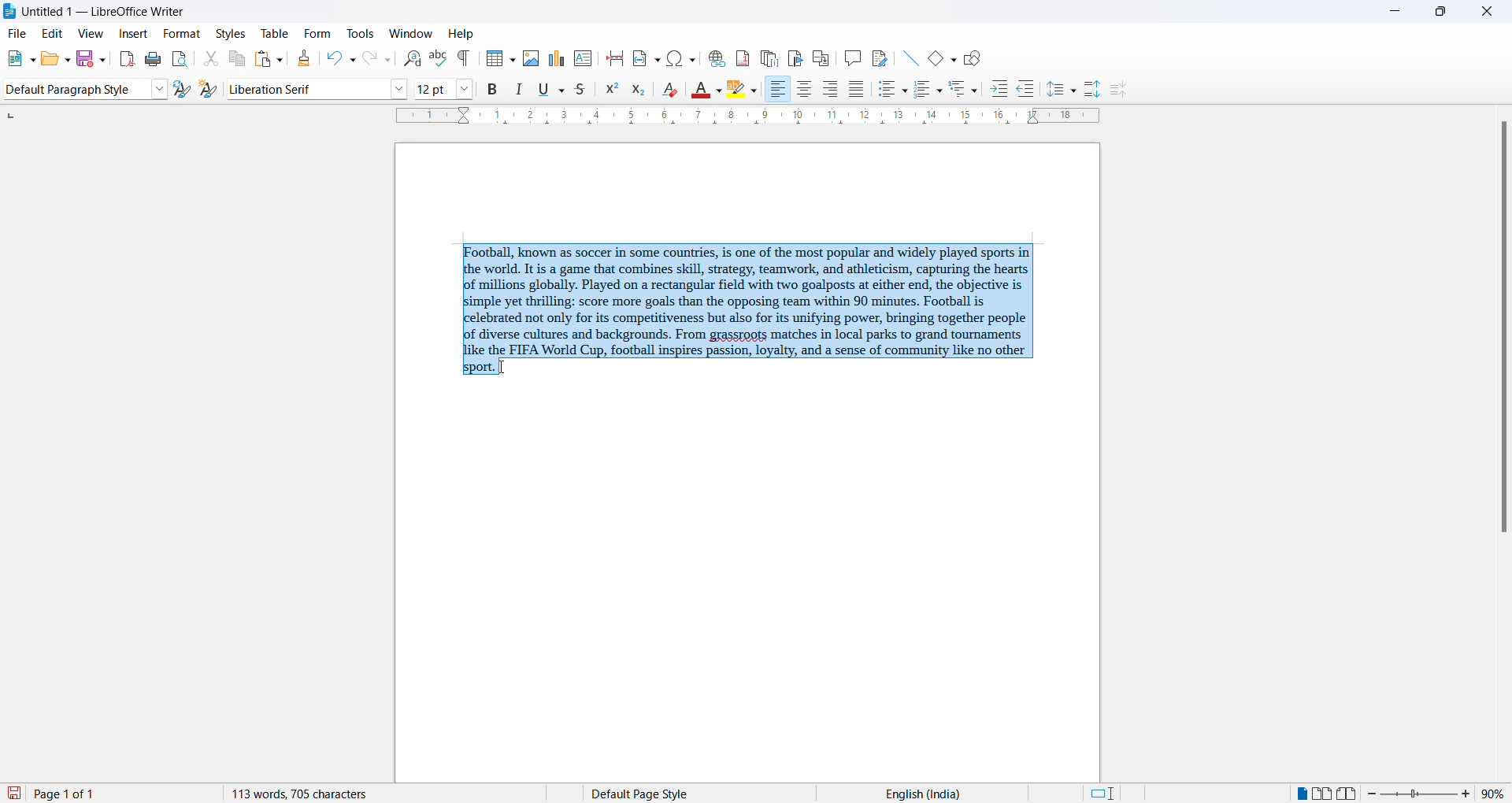  What do you see at coordinates (885, 90) in the screenshot?
I see `toggle unordered list` at bounding box center [885, 90].